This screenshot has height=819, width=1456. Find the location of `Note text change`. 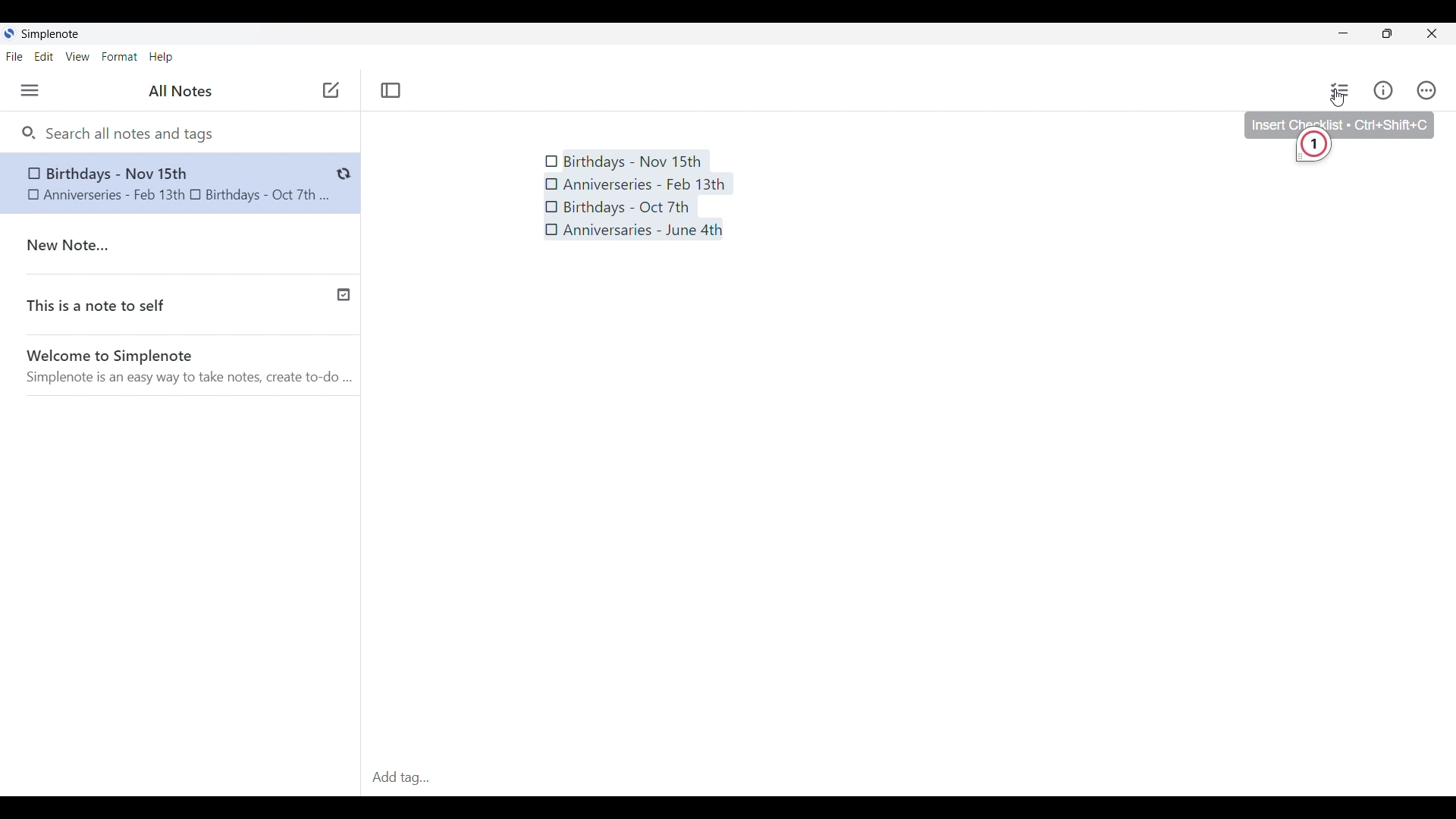

Note text change is located at coordinates (165, 183).